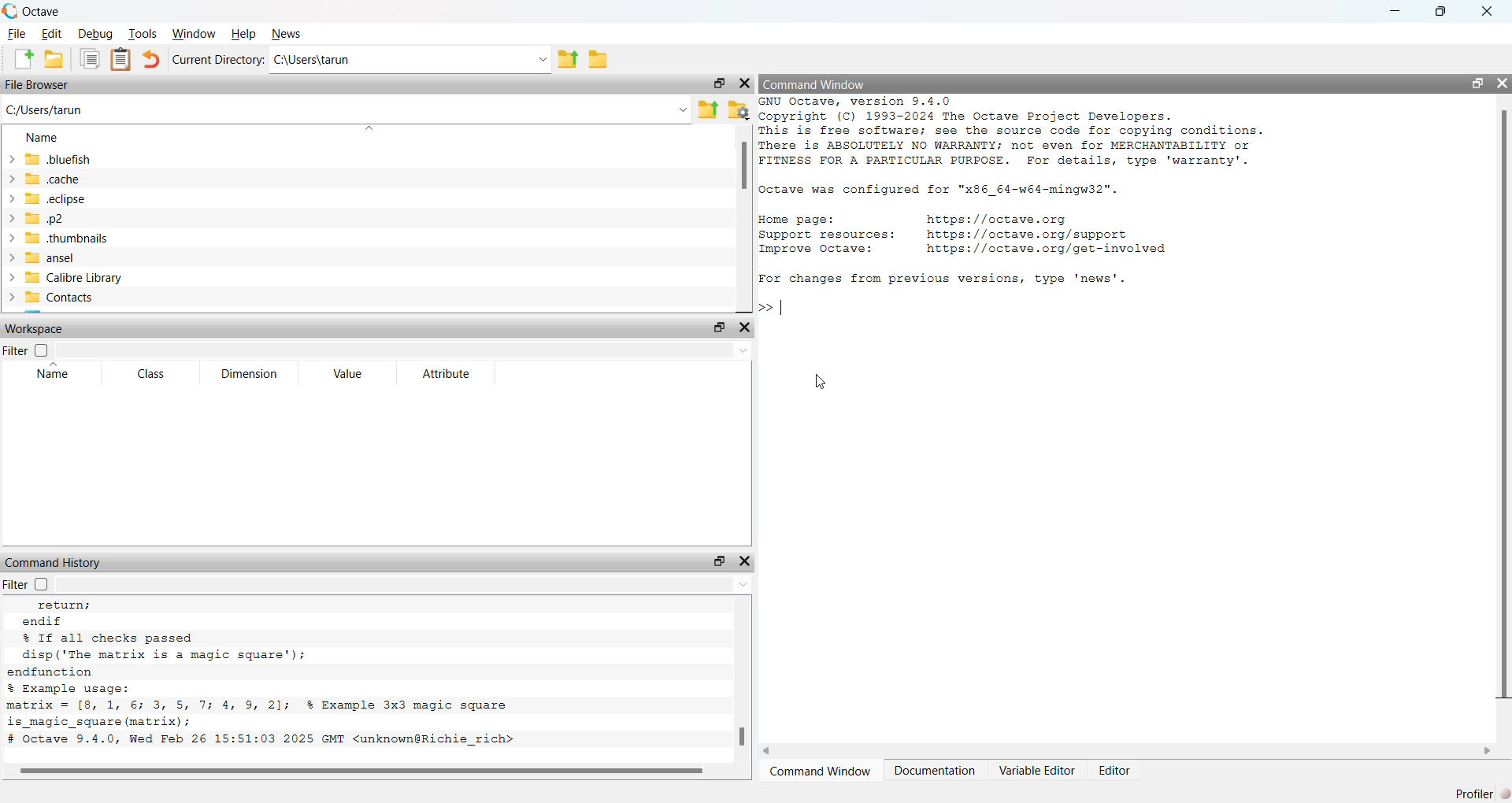  What do you see at coordinates (91, 60) in the screenshot?
I see `Duplicate` at bounding box center [91, 60].